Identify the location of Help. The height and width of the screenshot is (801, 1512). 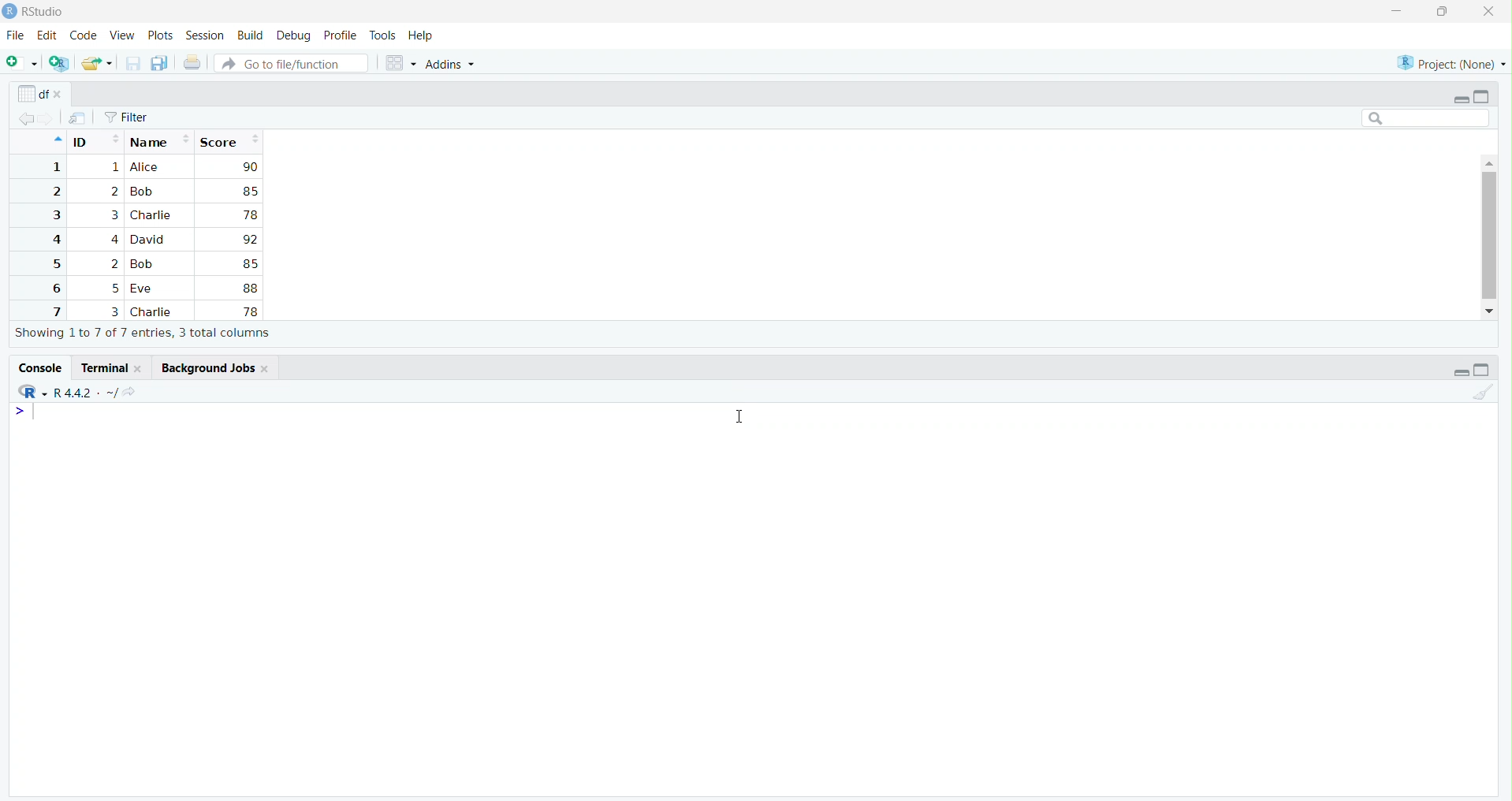
(421, 37).